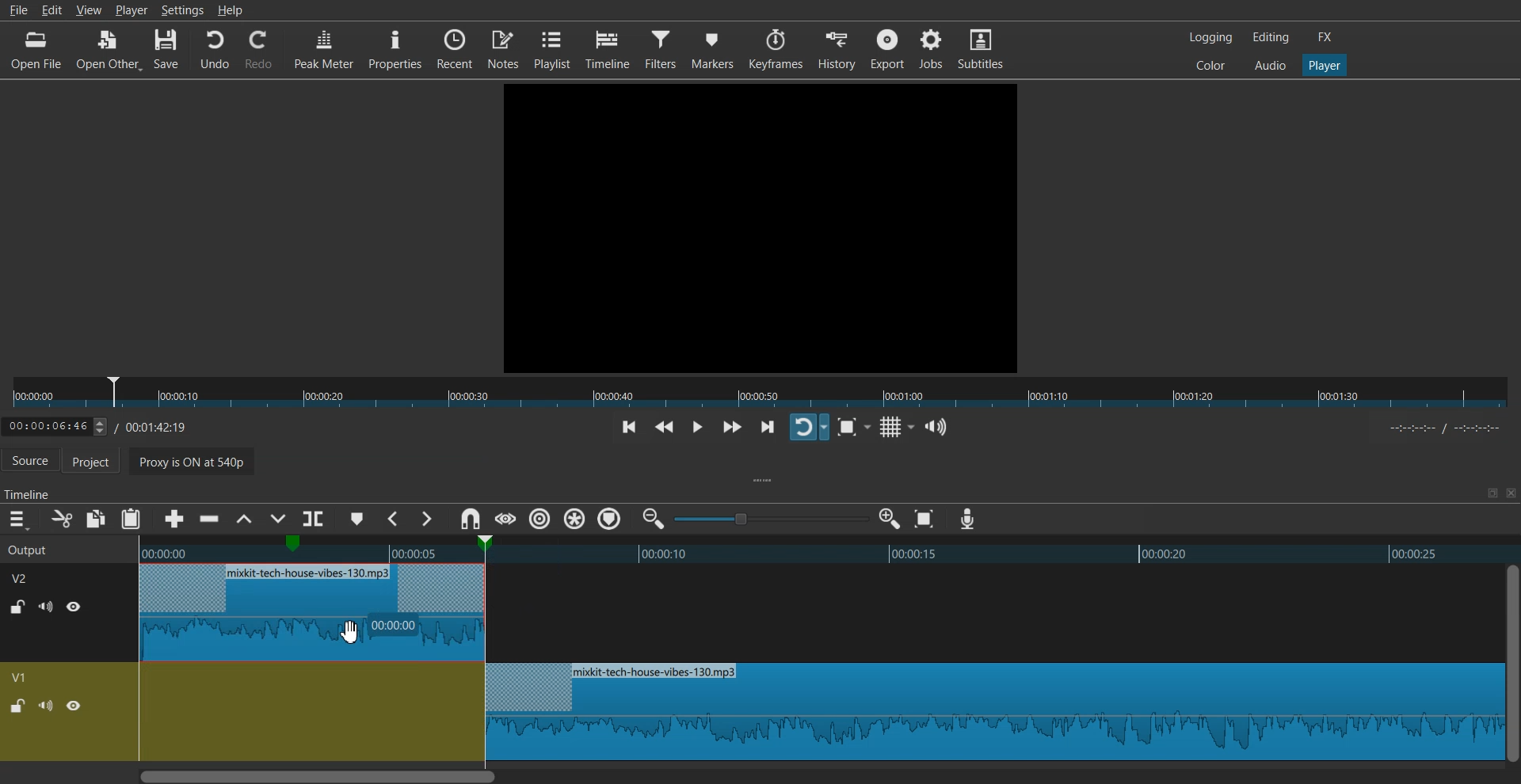  I want to click on Snap audio, so click(310, 614).